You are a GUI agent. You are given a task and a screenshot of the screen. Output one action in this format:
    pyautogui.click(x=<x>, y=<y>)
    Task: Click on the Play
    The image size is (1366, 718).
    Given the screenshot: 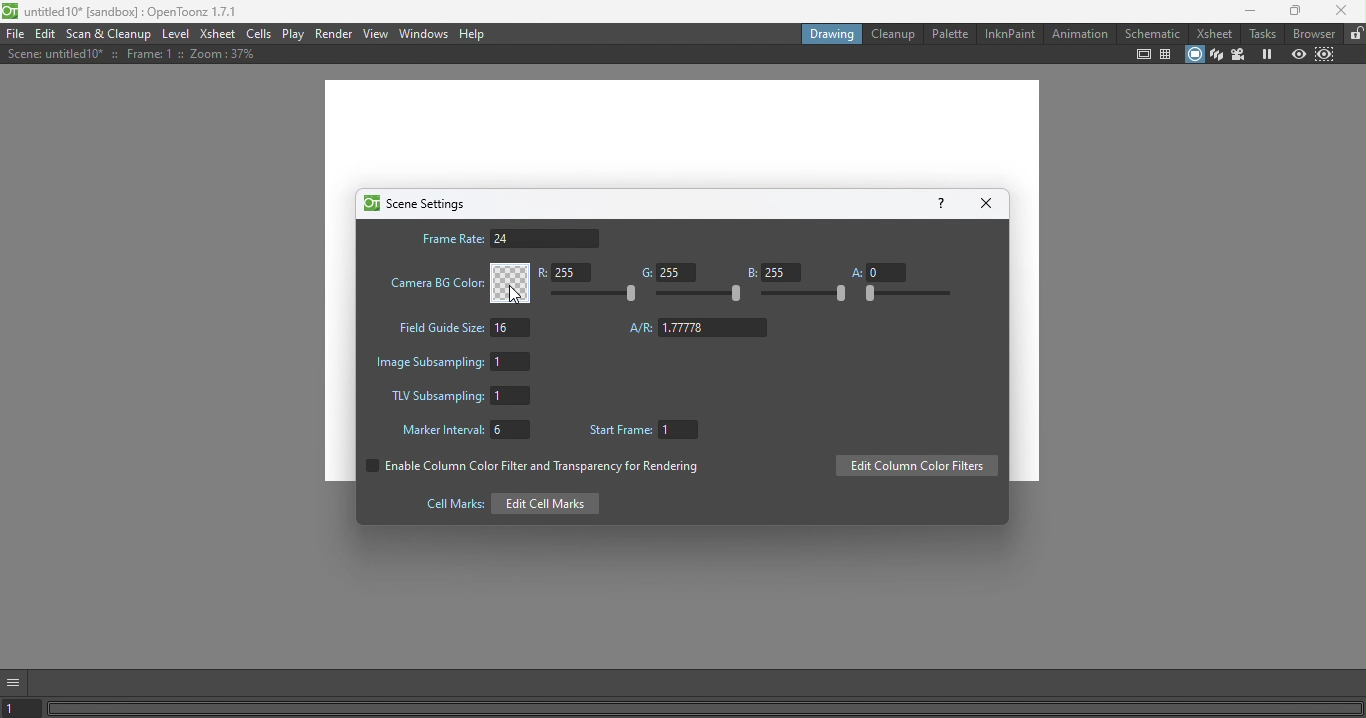 What is the action you would take?
    pyautogui.click(x=294, y=34)
    